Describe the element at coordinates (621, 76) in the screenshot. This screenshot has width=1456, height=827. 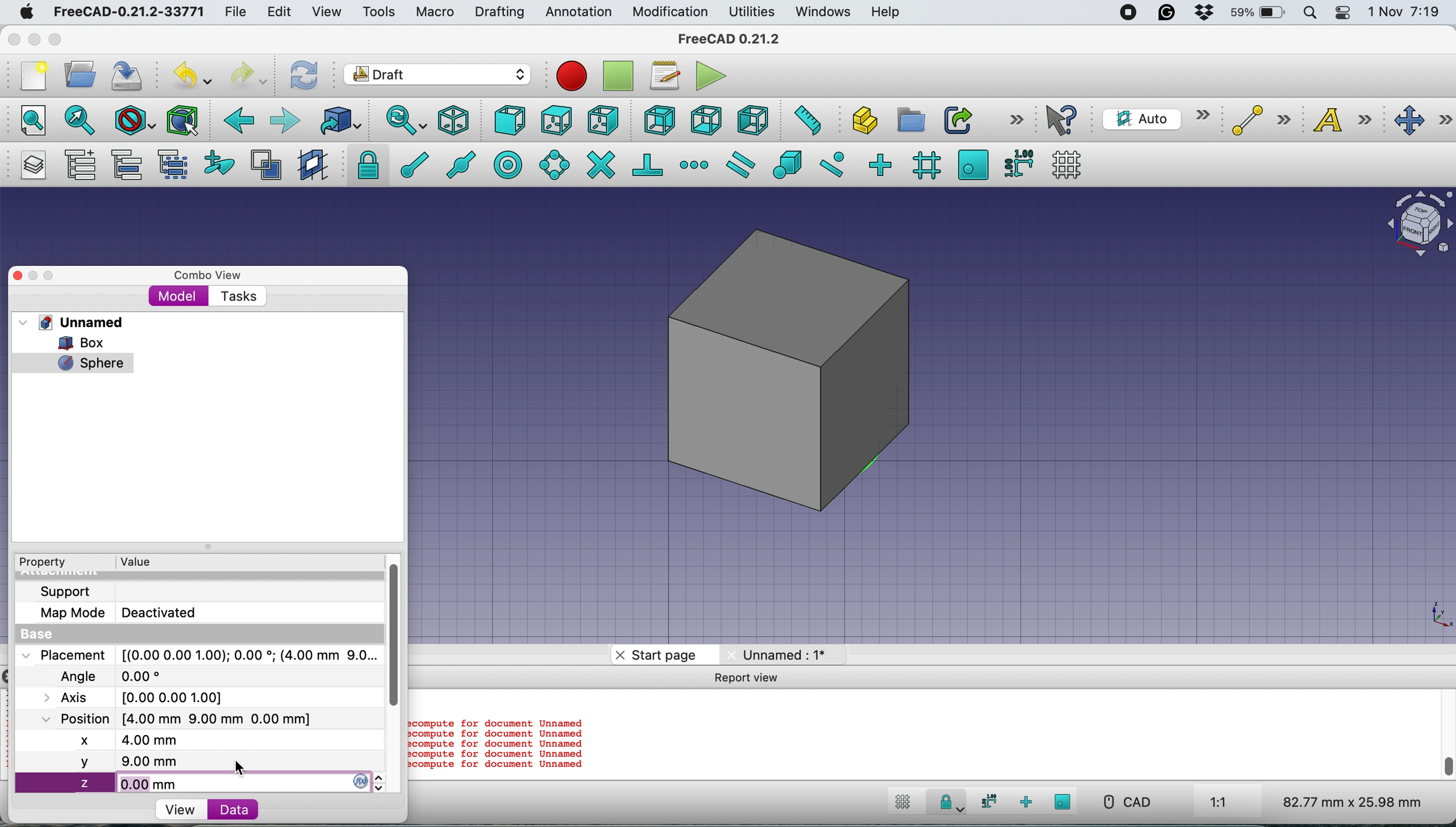
I see `stop recording macros` at that location.